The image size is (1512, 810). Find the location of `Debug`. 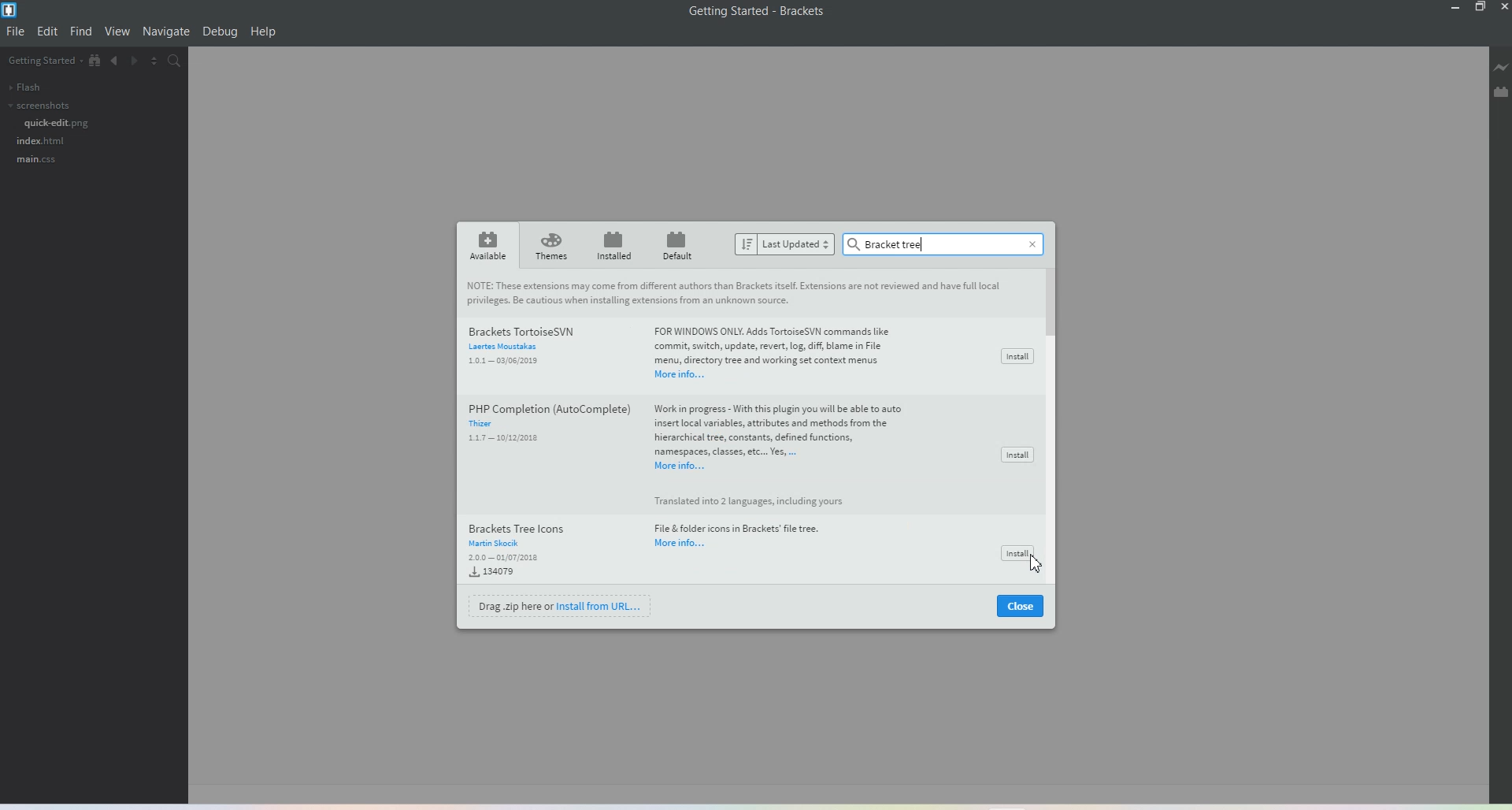

Debug is located at coordinates (220, 32).